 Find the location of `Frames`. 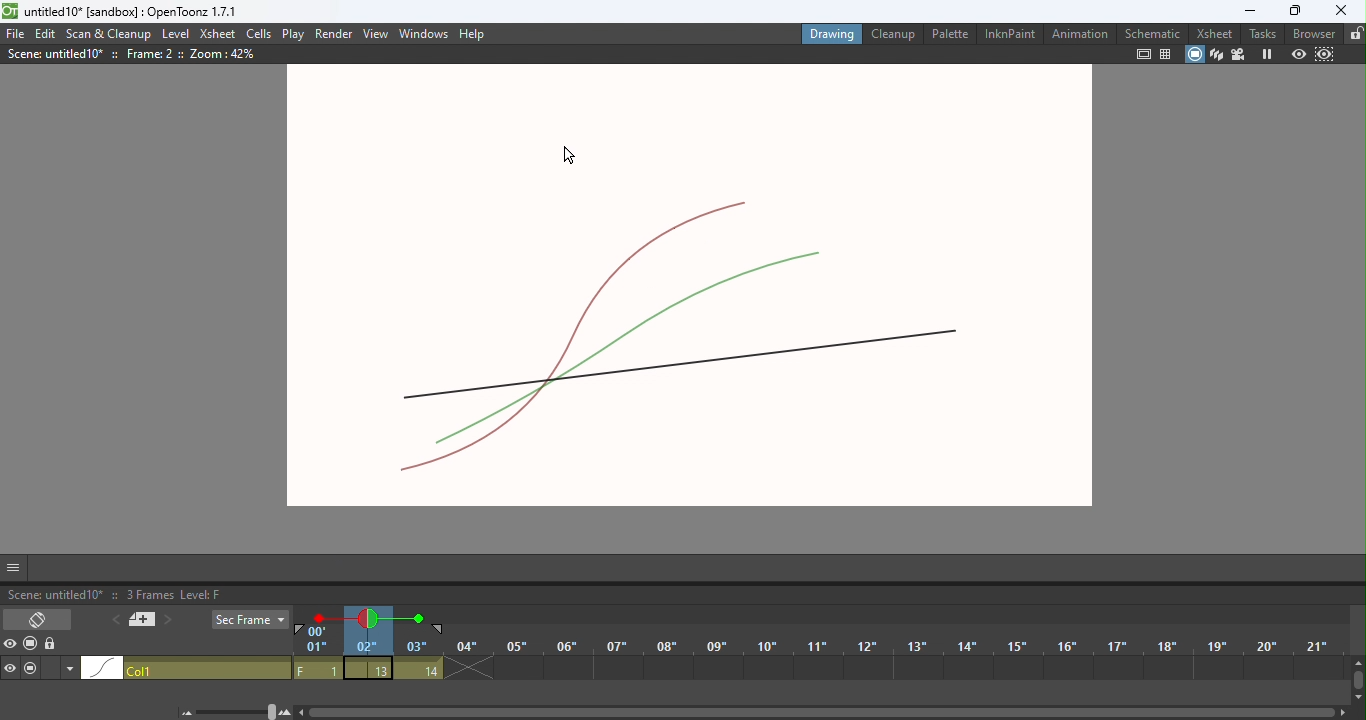

Frames is located at coordinates (813, 648).